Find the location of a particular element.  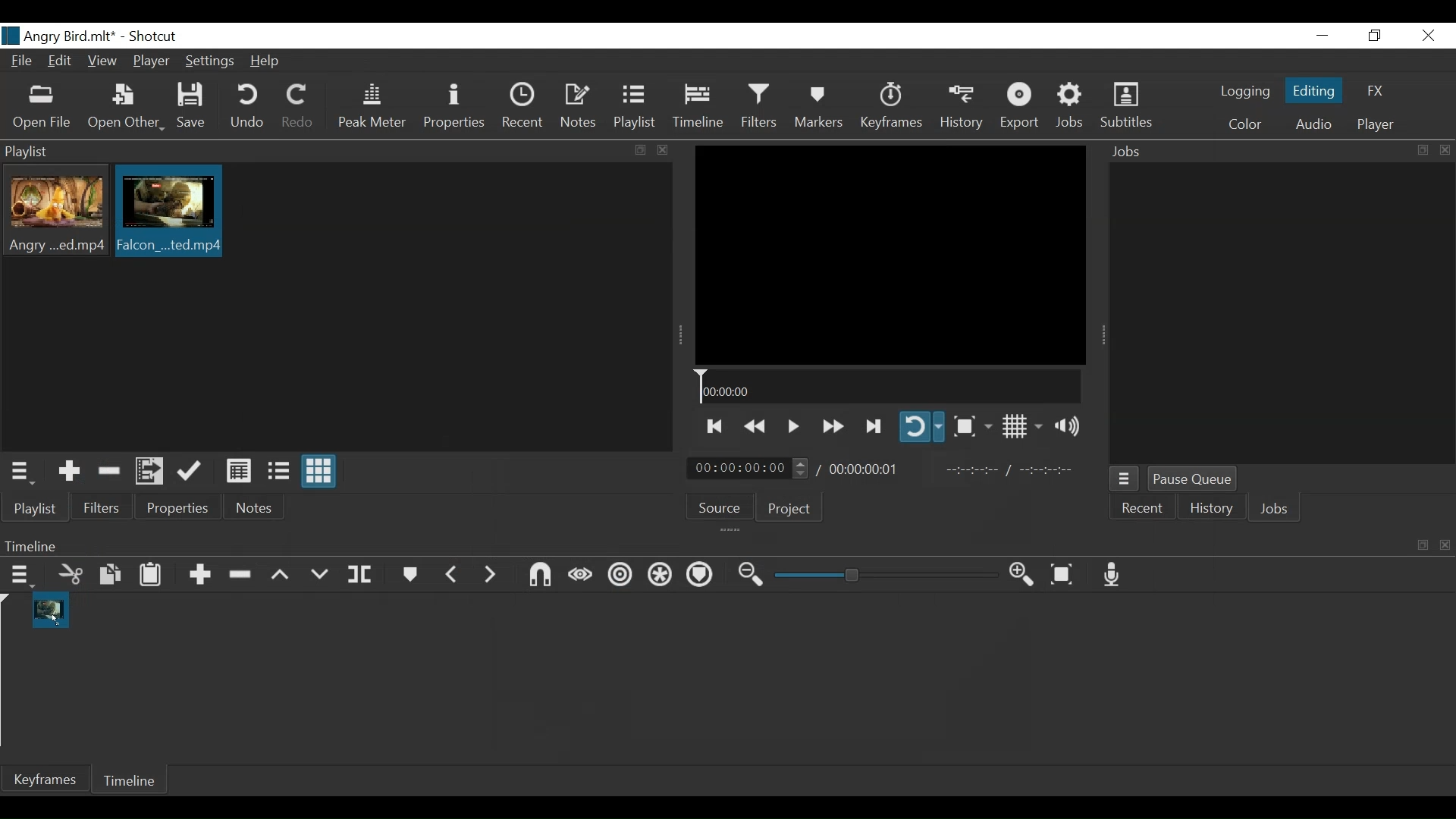

History is located at coordinates (962, 107).